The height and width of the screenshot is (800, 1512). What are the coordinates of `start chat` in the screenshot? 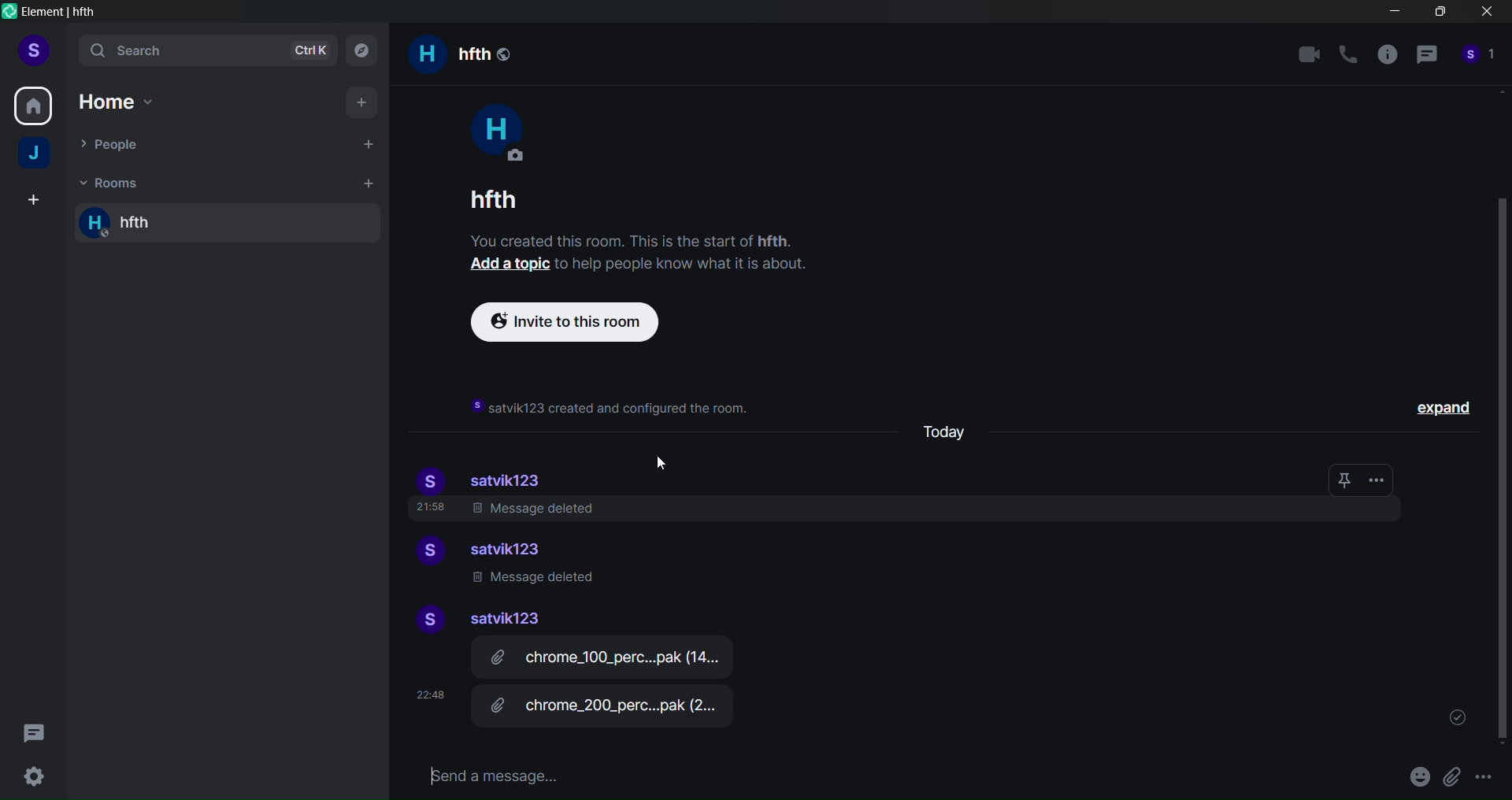 It's located at (365, 143).